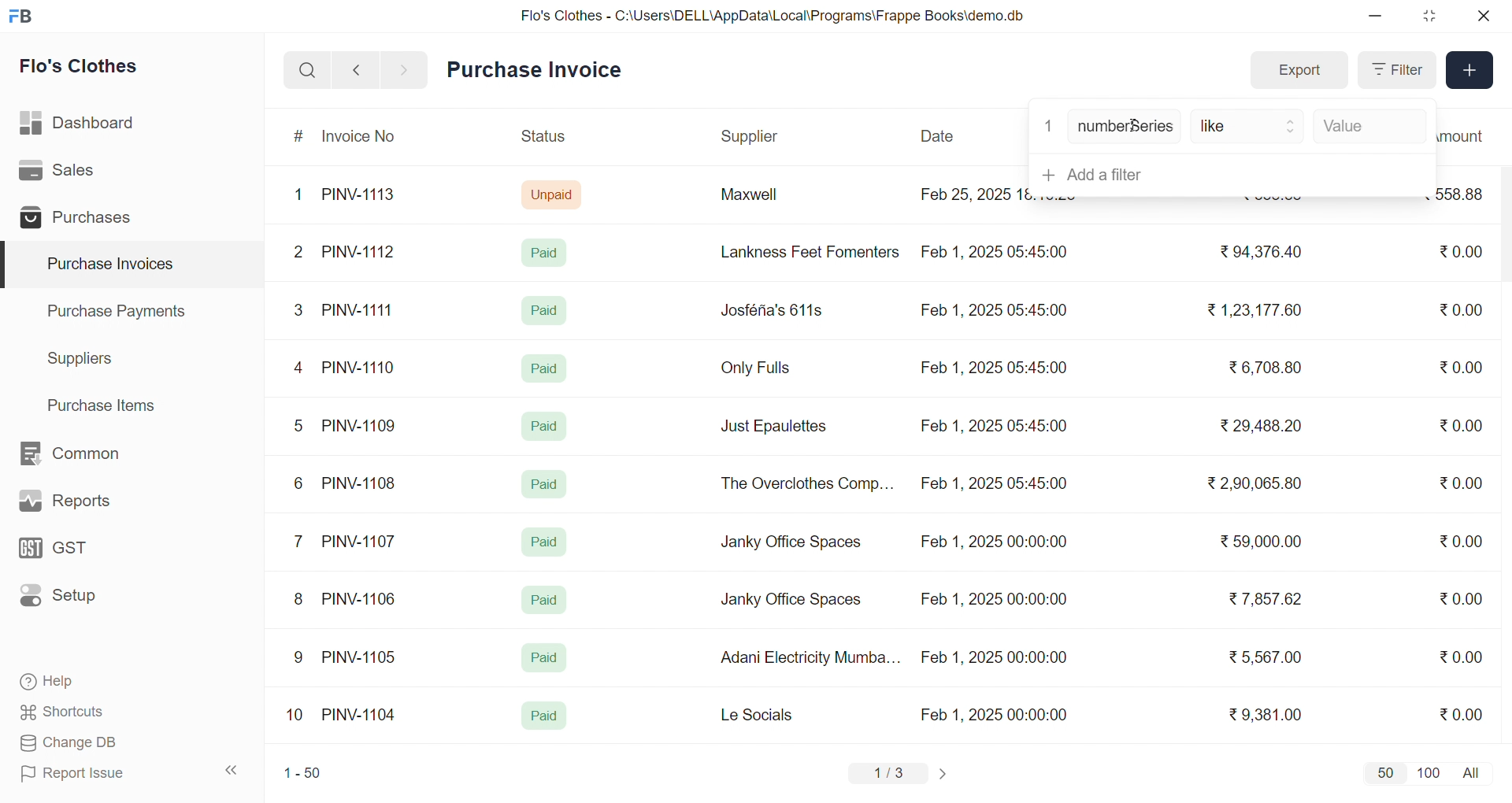 The width and height of the screenshot is (1512, 803). I want to click on 9, so click(299, 657).